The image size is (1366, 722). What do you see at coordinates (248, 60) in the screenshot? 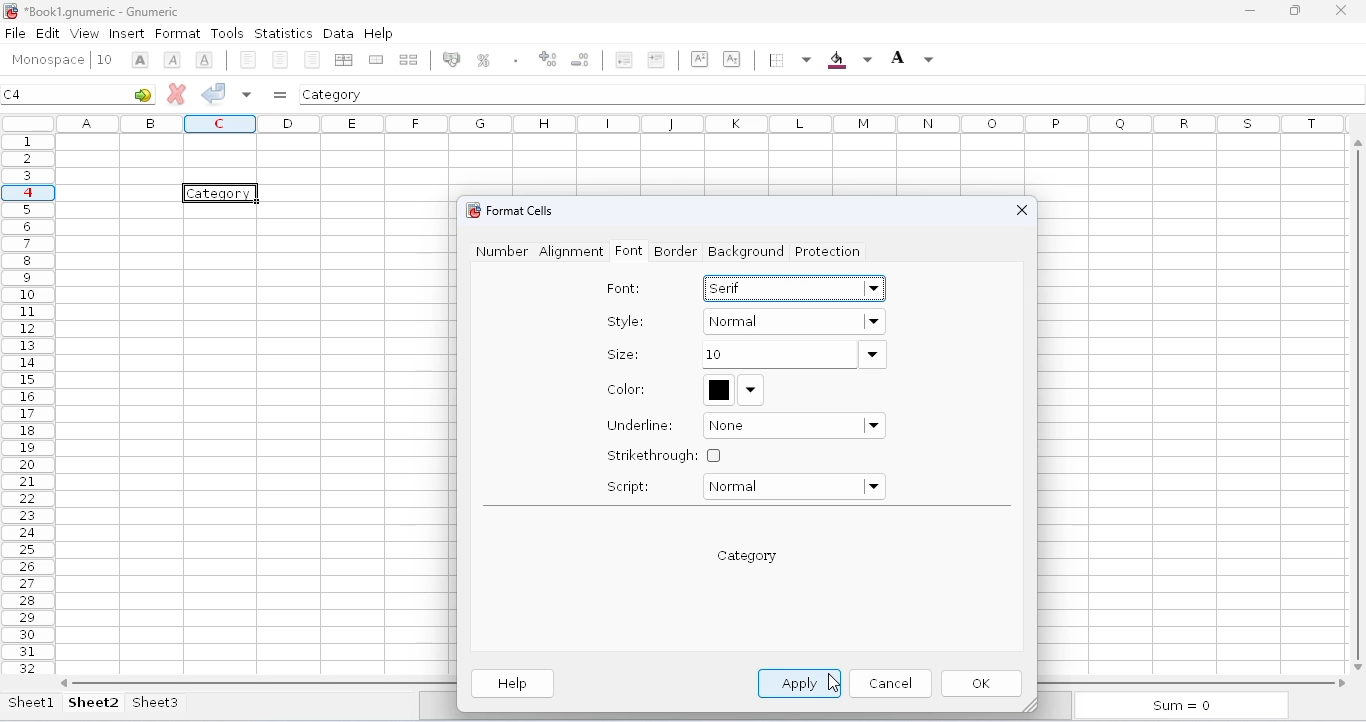
I see `align left` at bounding box center [248, 60].